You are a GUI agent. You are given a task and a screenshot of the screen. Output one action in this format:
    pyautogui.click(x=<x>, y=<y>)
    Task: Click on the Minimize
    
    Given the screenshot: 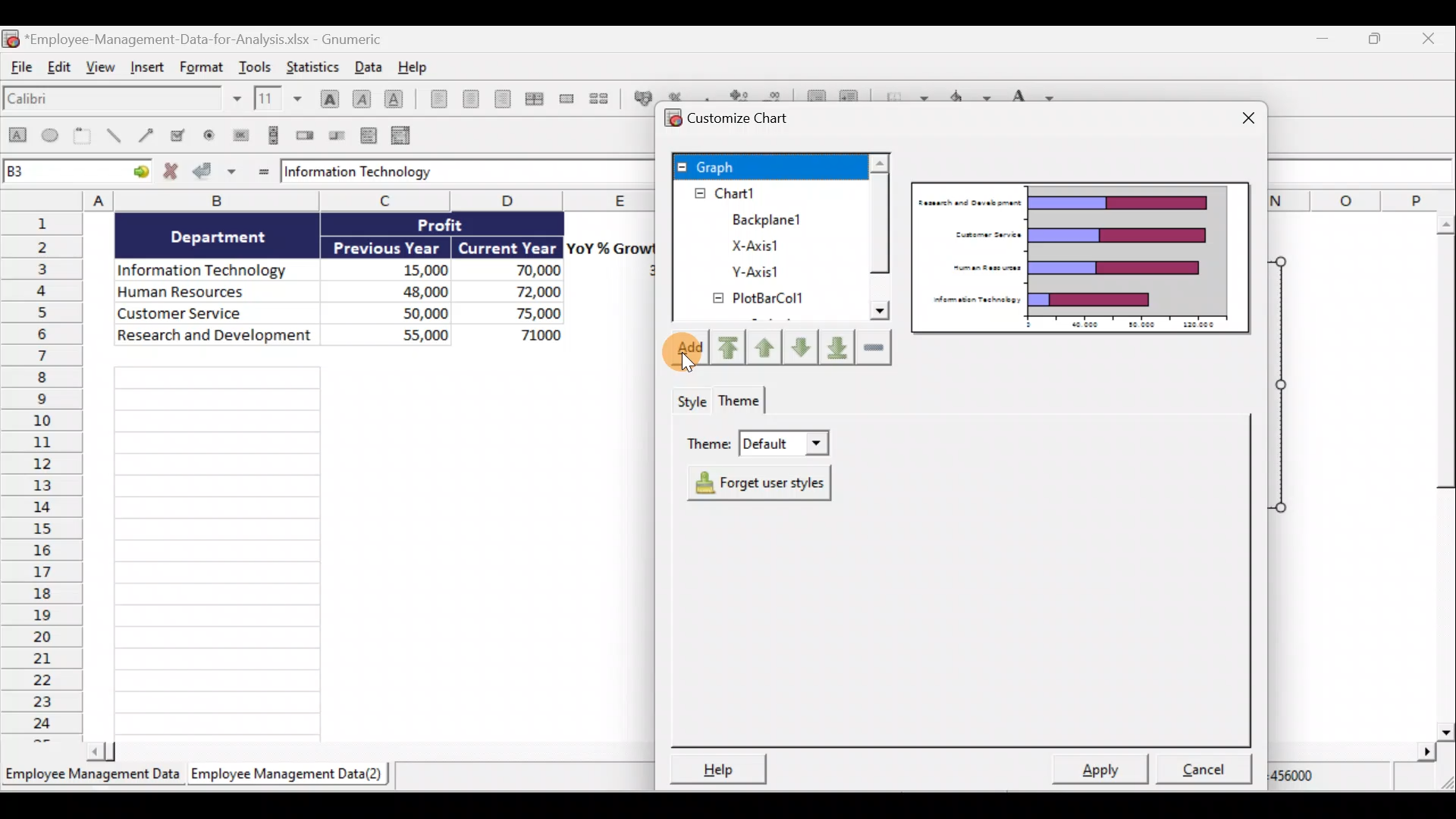 What is the action you would take?
    pyautogui.click(x=1322, y=39)
    